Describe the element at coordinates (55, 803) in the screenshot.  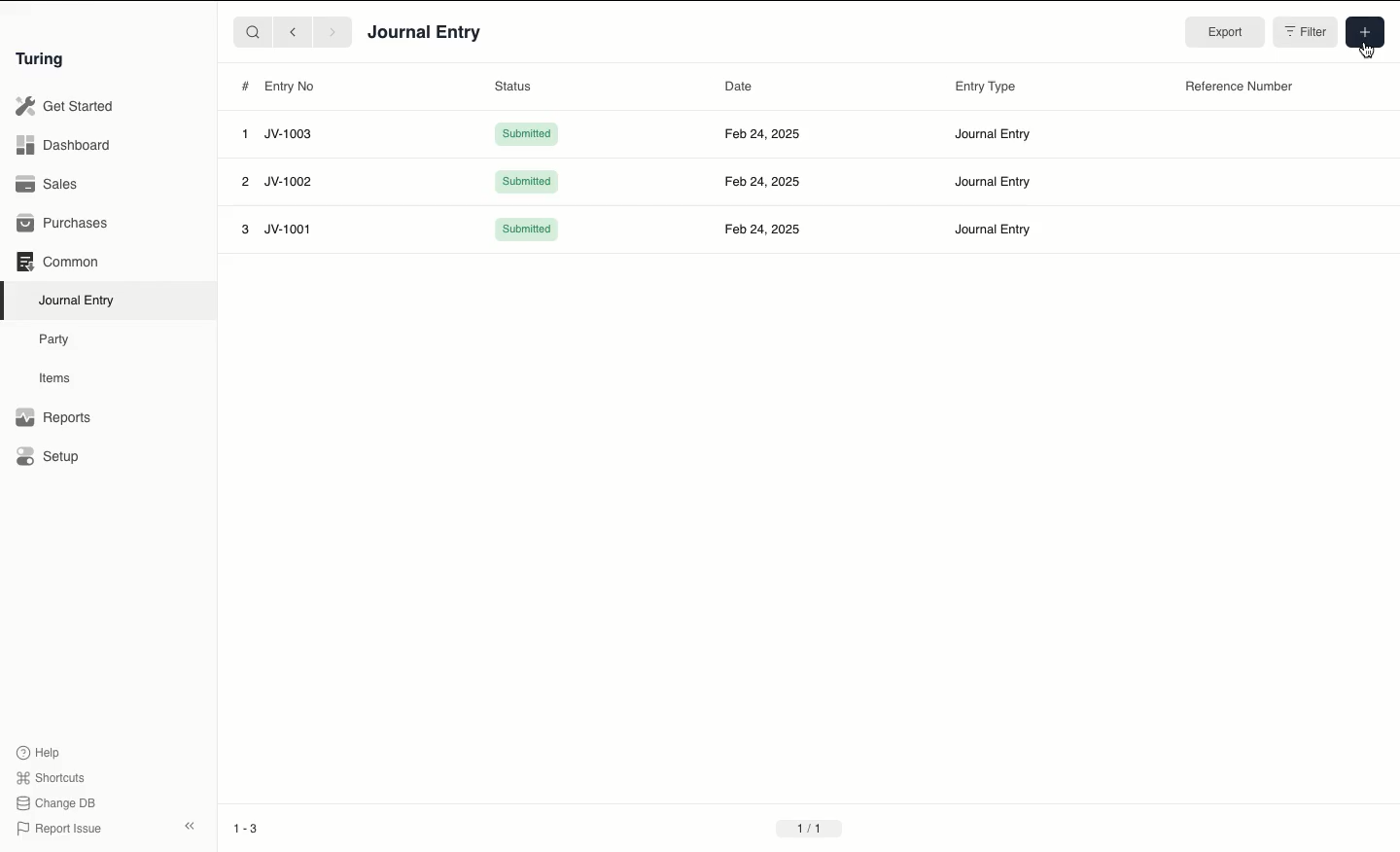
I see `Change DB` at that location.